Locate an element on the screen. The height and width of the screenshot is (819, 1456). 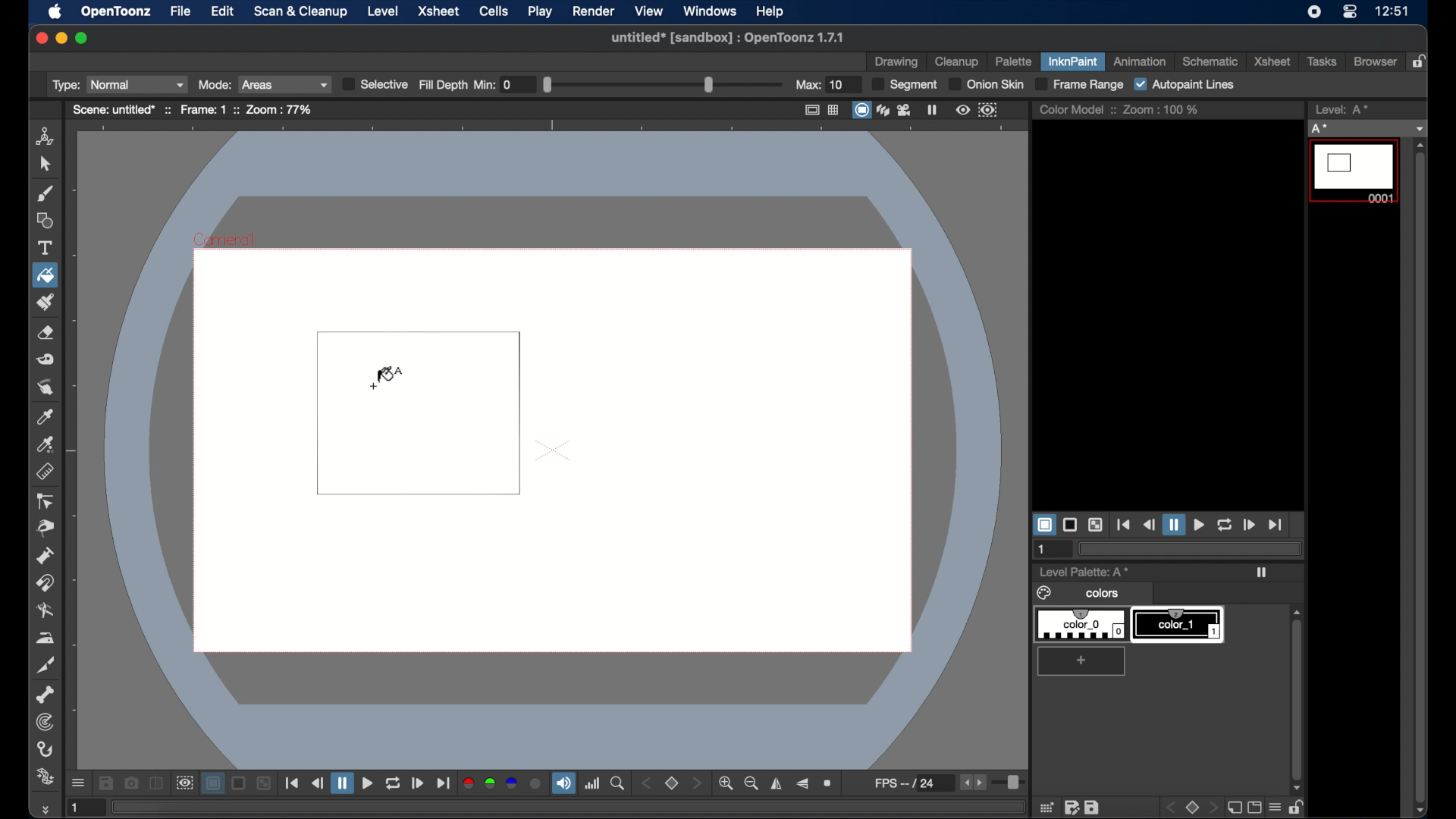
histogram is located at coordinates (592, 783).